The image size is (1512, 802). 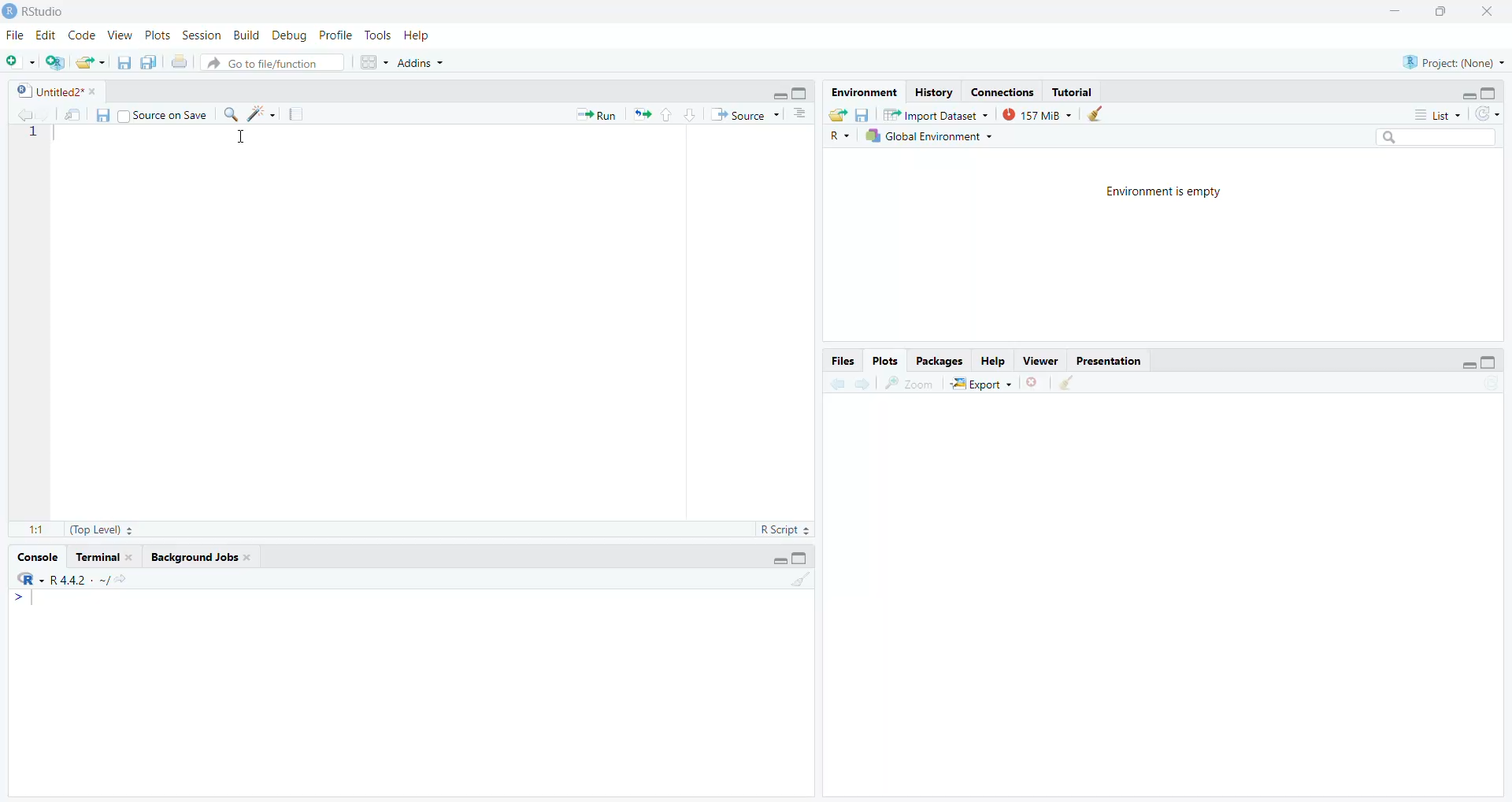 What do you see at coordinates (1489, 363) in the screenshot?
I see `maximize` at bounding box center [1489, 363].